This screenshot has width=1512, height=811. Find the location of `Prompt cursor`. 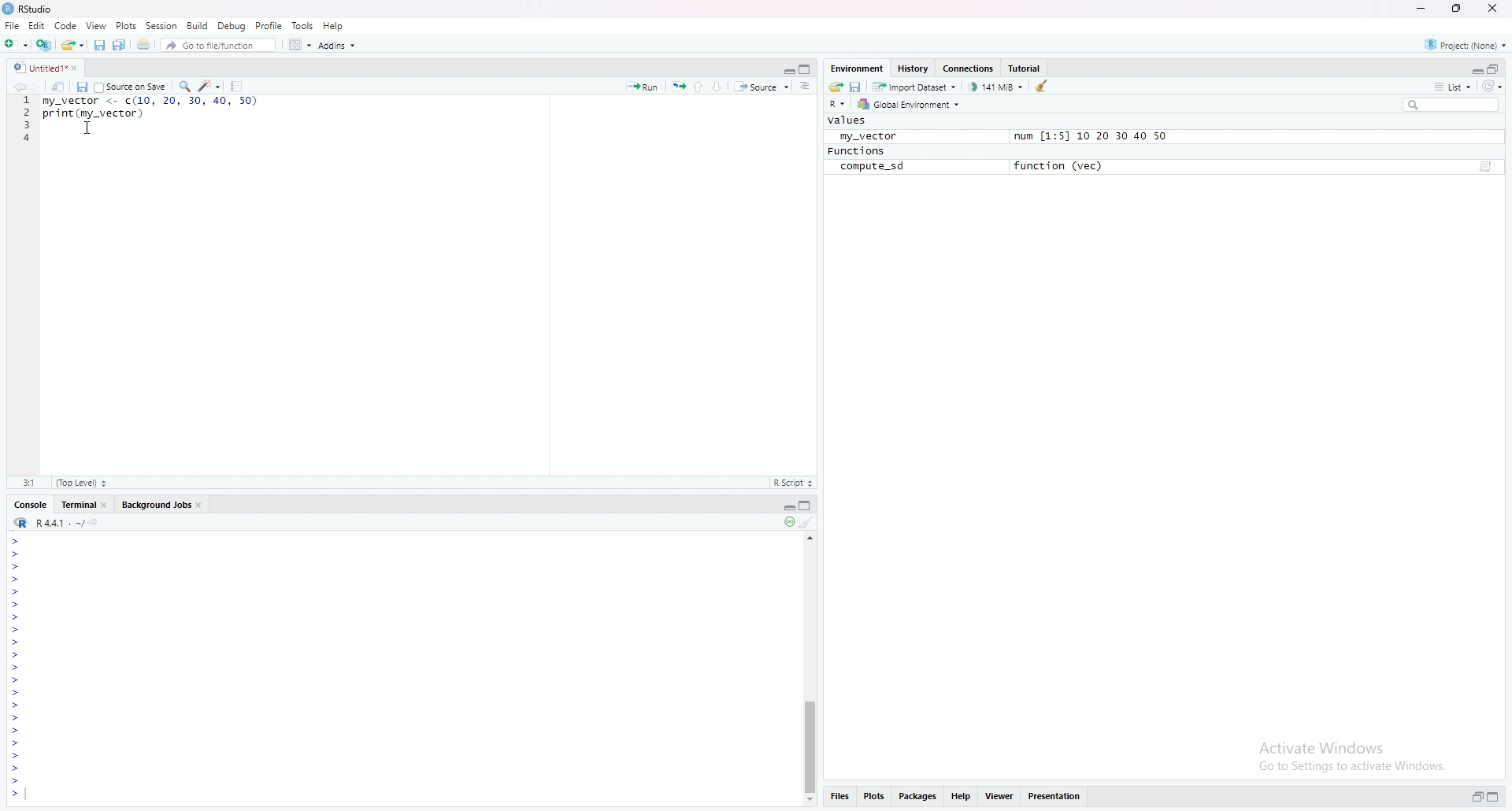

Prompt cursor is located at coordinates (13, 643).